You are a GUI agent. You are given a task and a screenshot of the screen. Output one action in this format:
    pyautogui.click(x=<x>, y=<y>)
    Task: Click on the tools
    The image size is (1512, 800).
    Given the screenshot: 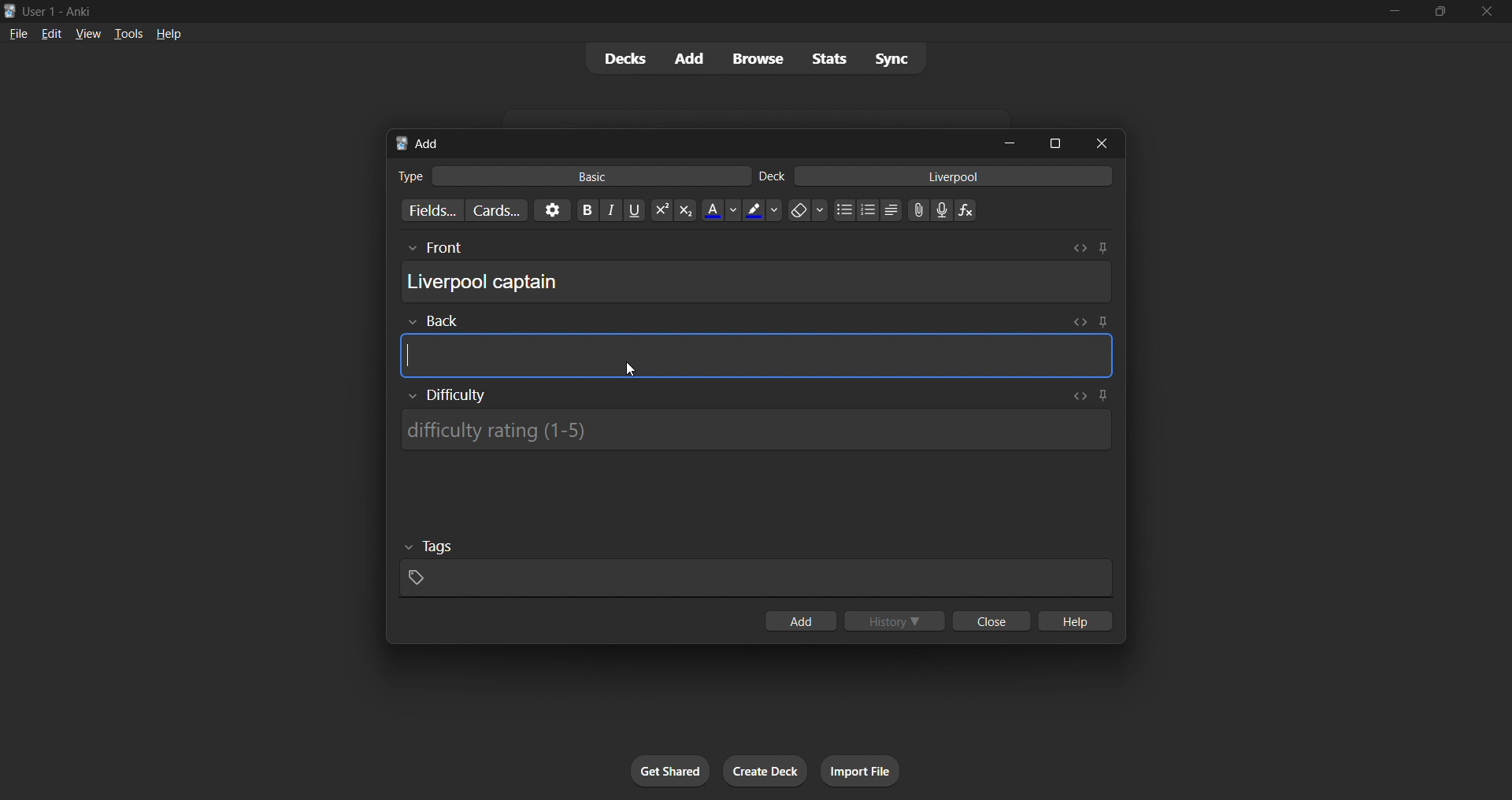 What is the action you would take?
    pyautogui.click(x=127, y=33)
    